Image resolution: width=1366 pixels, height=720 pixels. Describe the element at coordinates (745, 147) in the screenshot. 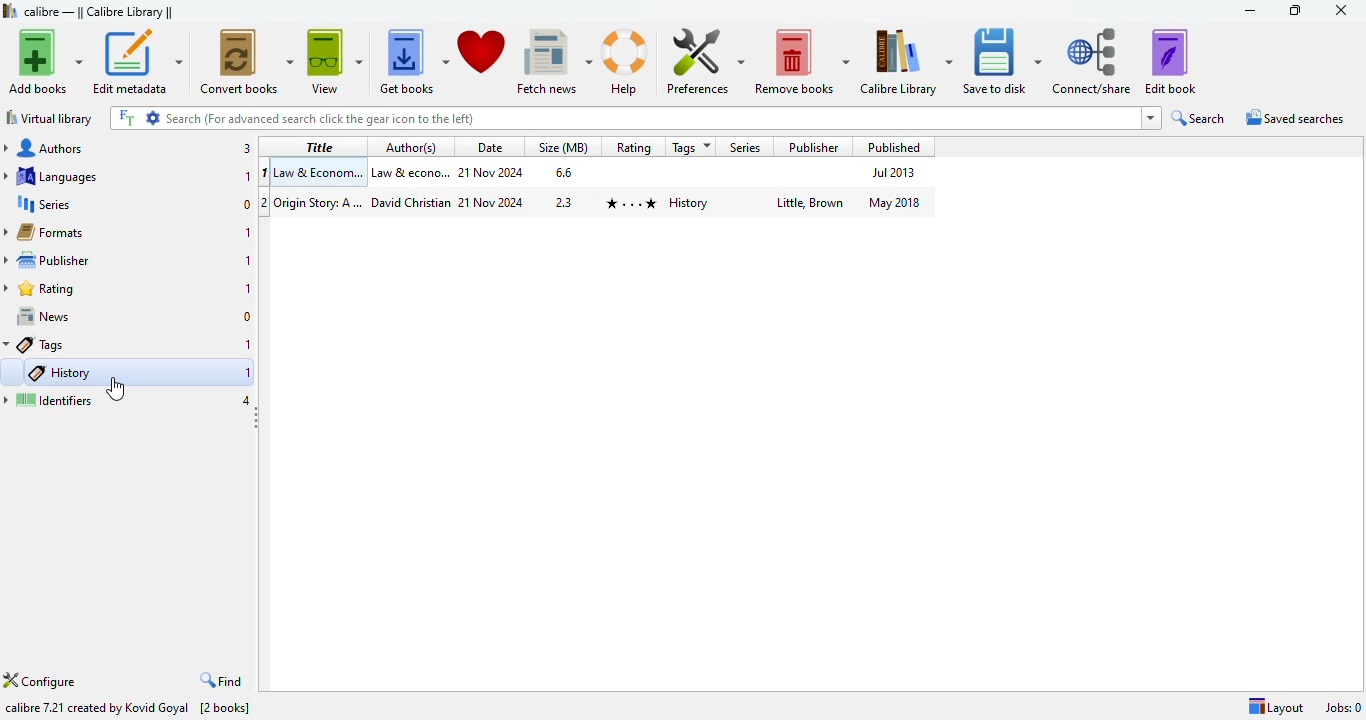

I see `series` at that location.